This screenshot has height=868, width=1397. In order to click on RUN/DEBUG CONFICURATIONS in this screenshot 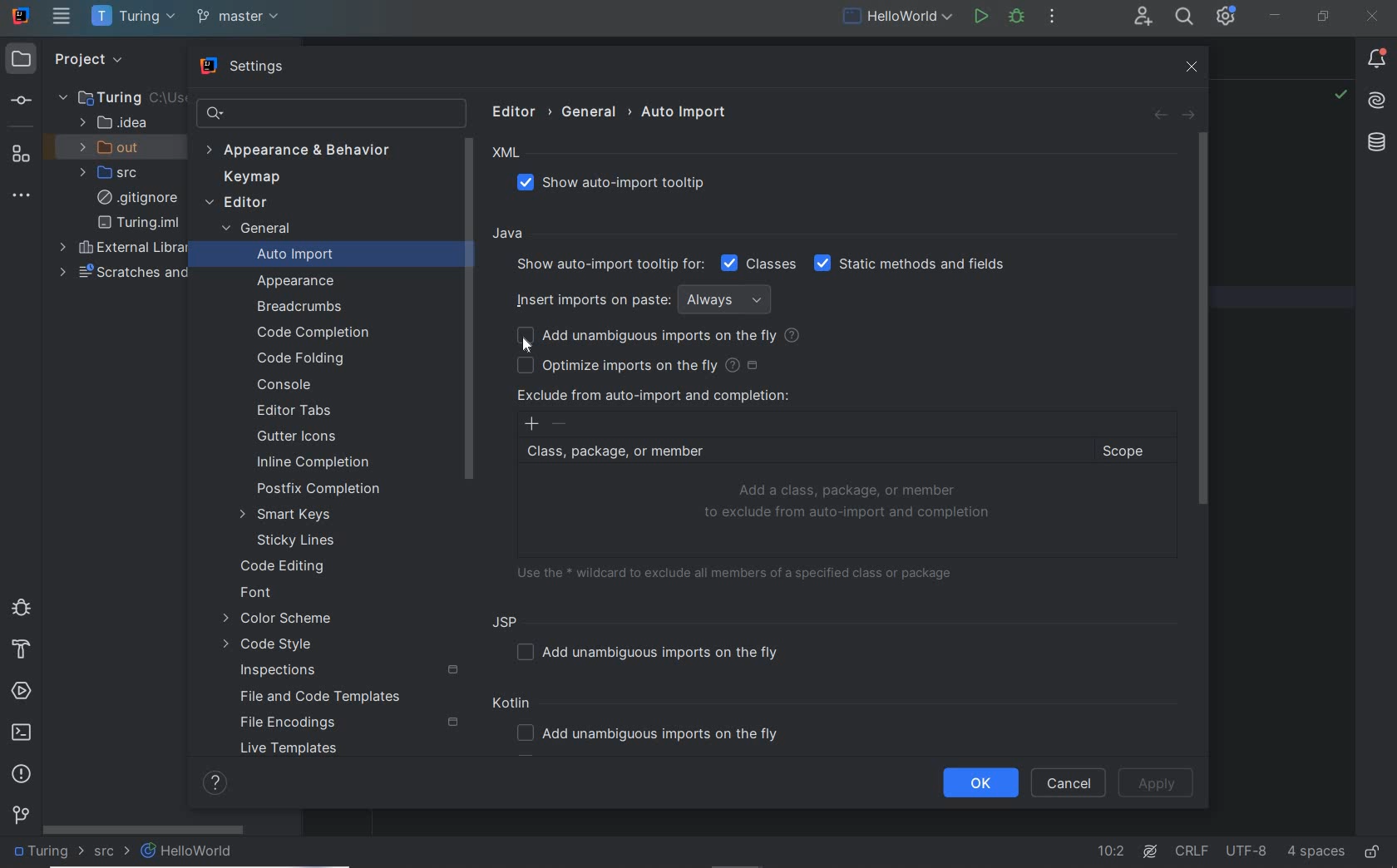, I will do `click(898, 16)`.